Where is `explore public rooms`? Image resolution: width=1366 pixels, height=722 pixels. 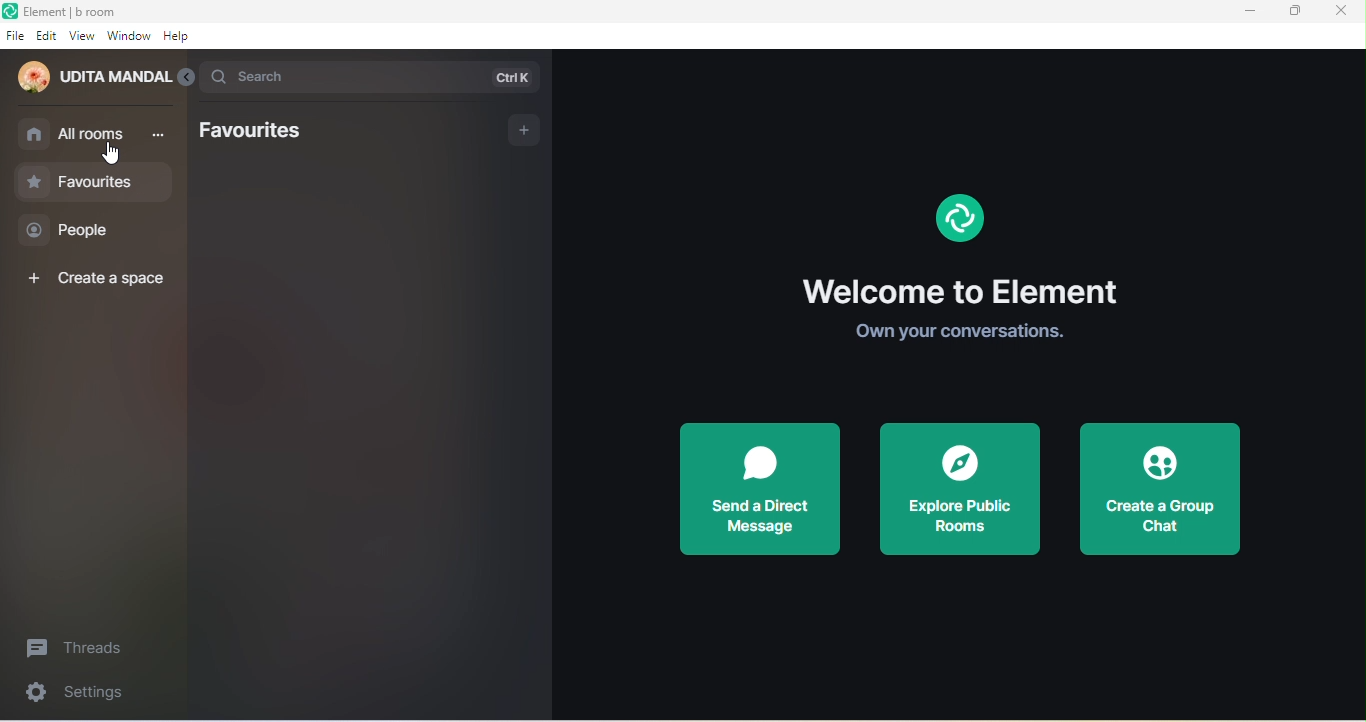 explore public rooms is located at coordinates (963, 489).